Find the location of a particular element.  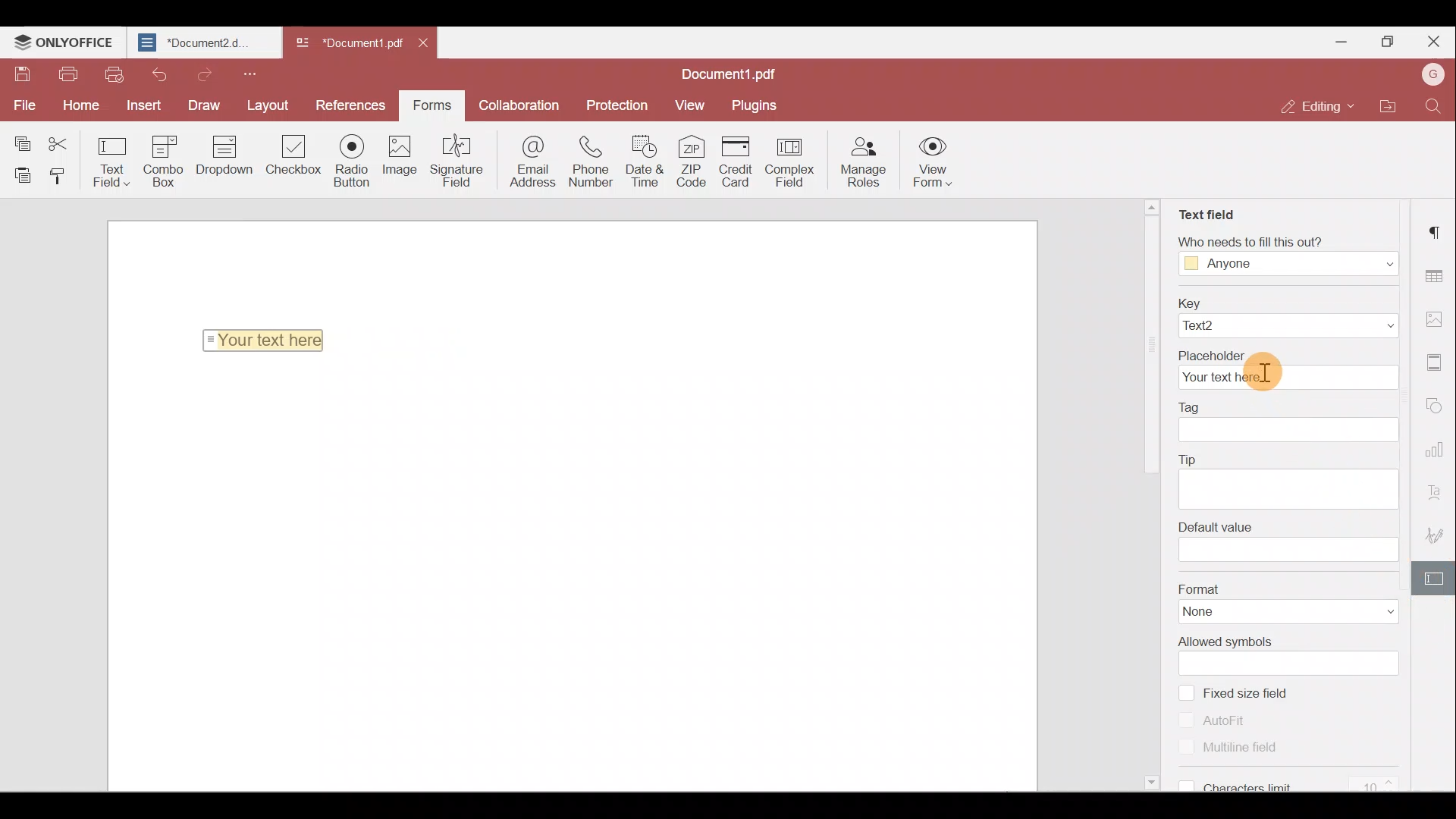

Tag is located at coordinates (1192, 405).